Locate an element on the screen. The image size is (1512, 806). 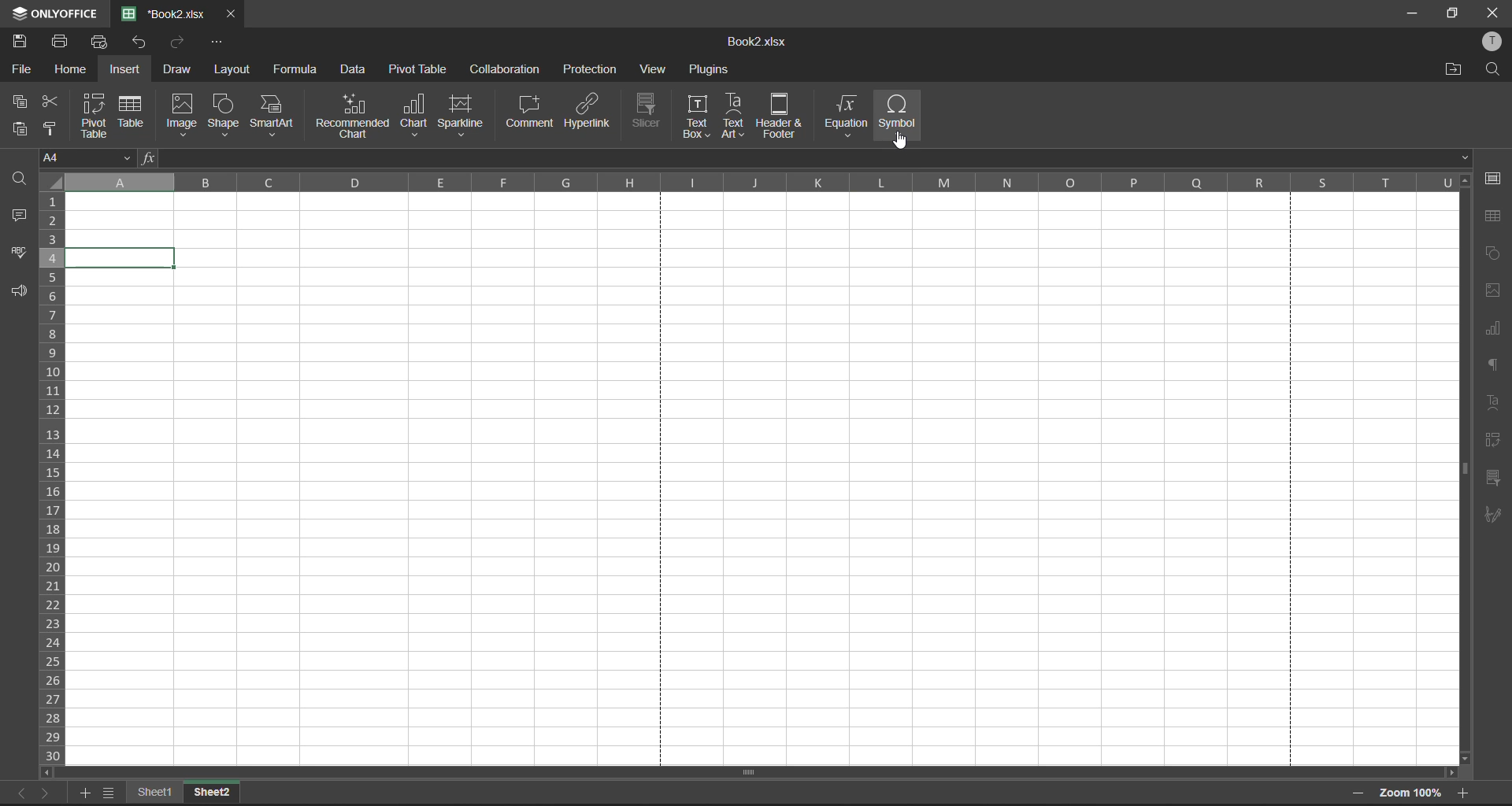
cursor is located at coordinates (902, 139).